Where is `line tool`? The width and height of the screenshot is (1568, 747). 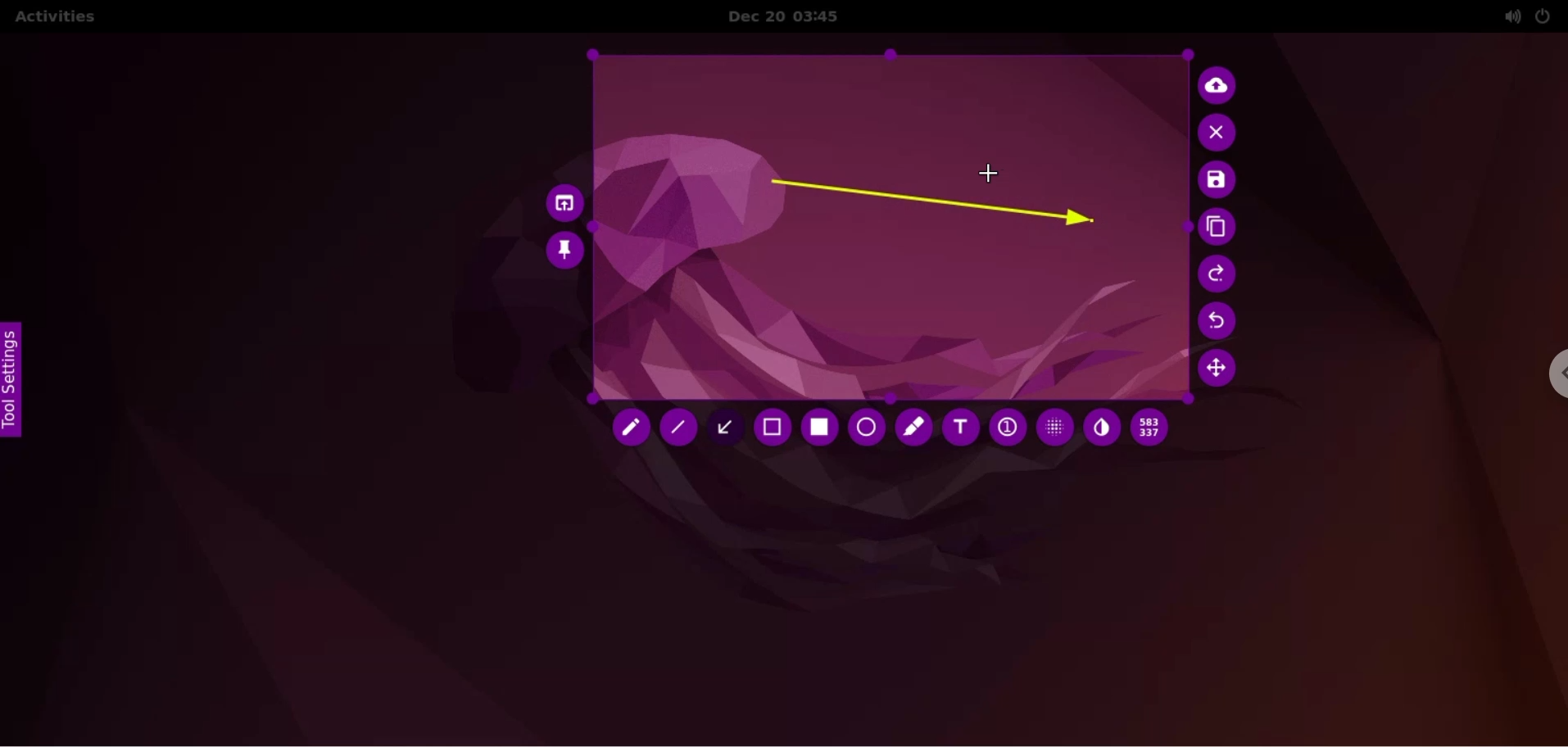
line tool is located at coordinates (681, 432).